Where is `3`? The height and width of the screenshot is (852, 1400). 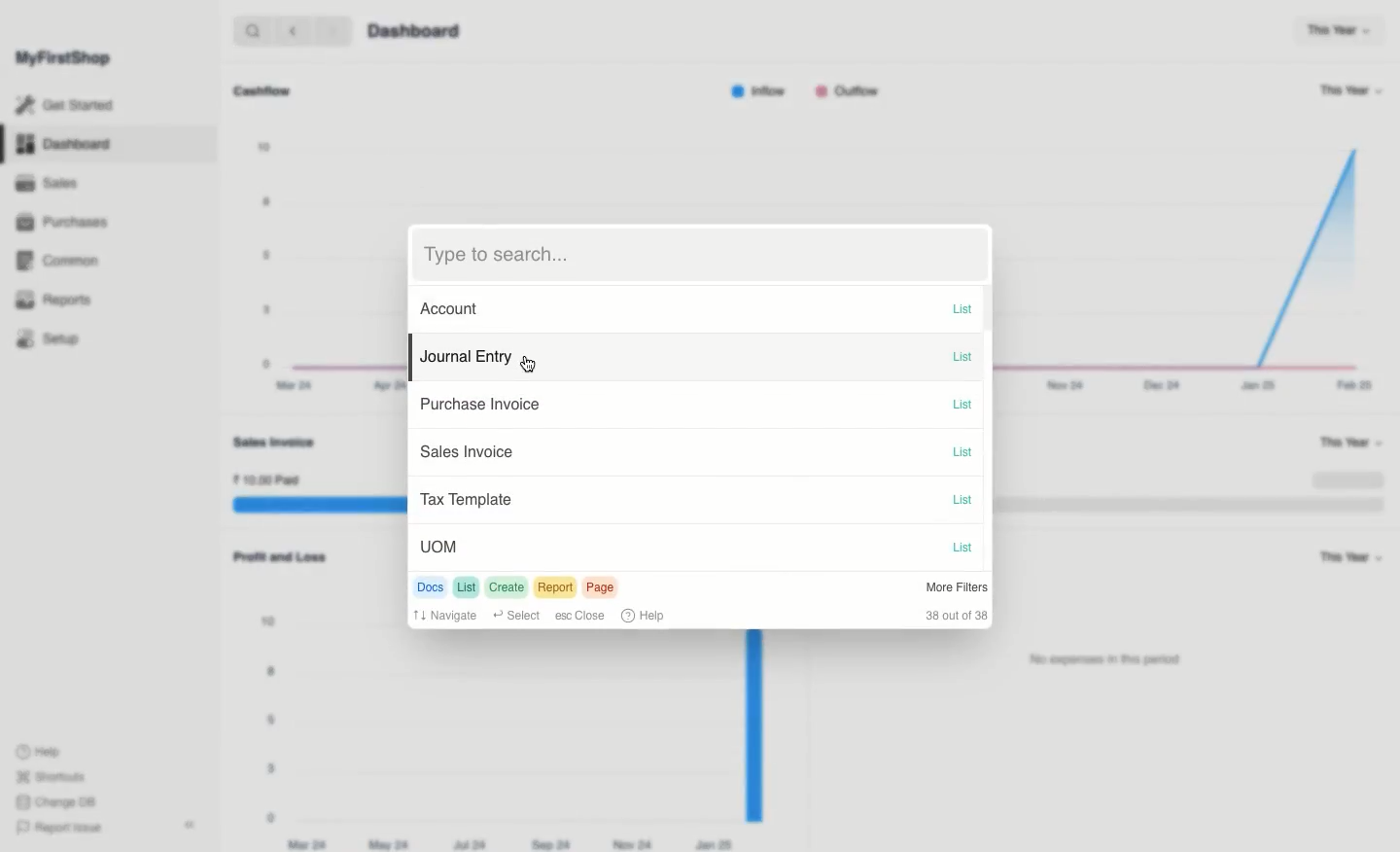 3 is located at coordinates (268, 309).